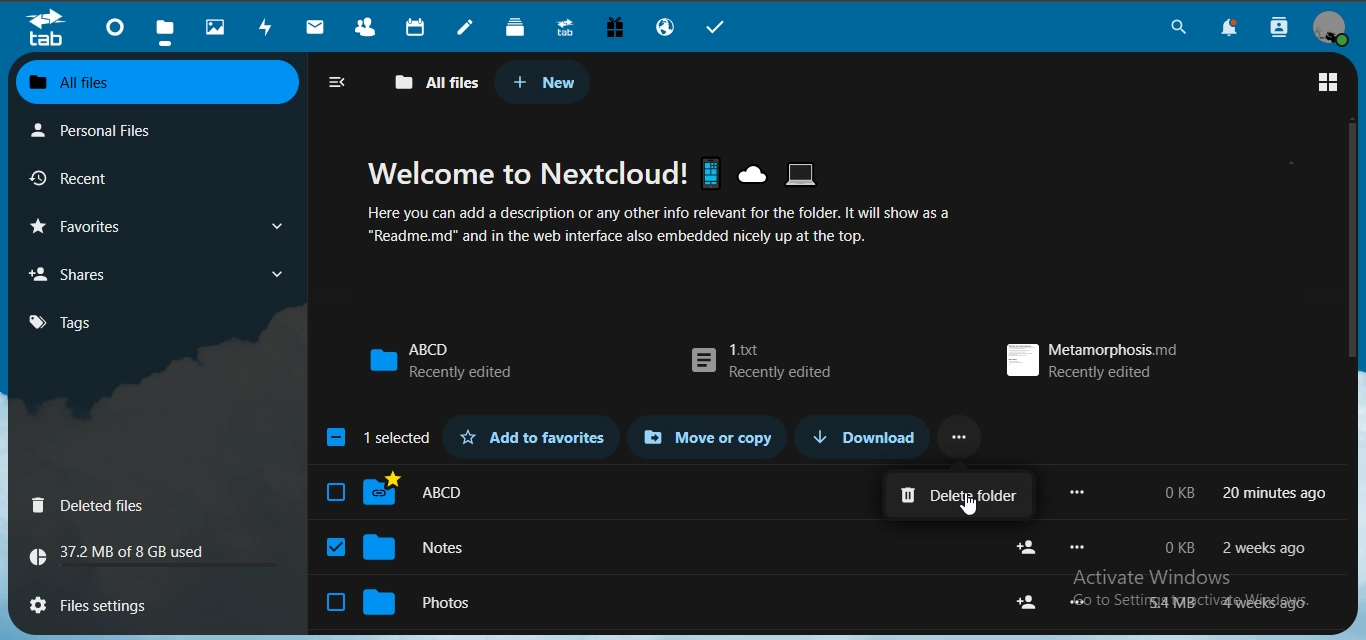  Describe the element at coordinates (1075, 491) in the screenshot. I see `more options` at that location.